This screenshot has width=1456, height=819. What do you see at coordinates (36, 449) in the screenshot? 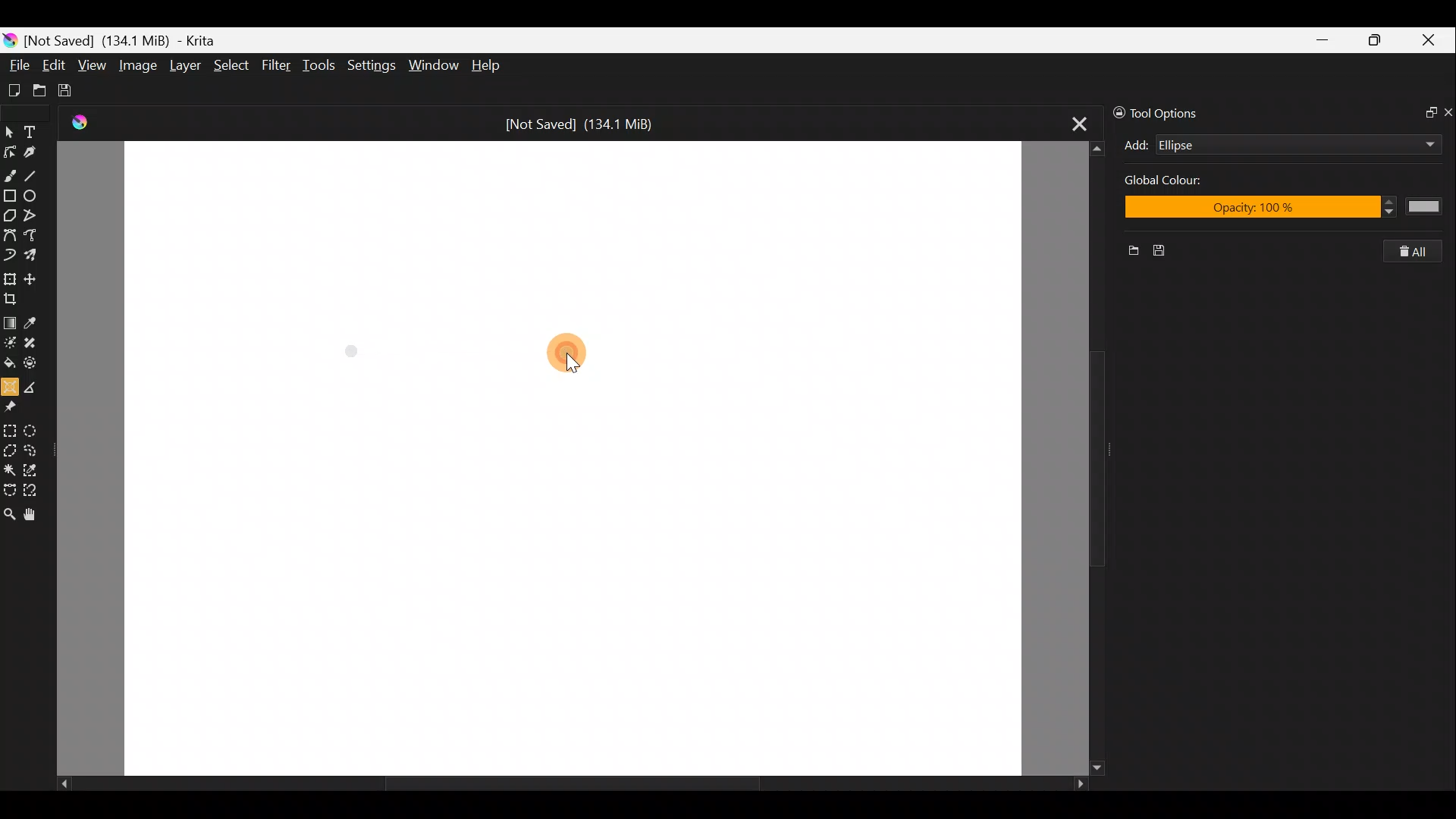
I see `Freehand selection tool` at bounding box center [36, 449].